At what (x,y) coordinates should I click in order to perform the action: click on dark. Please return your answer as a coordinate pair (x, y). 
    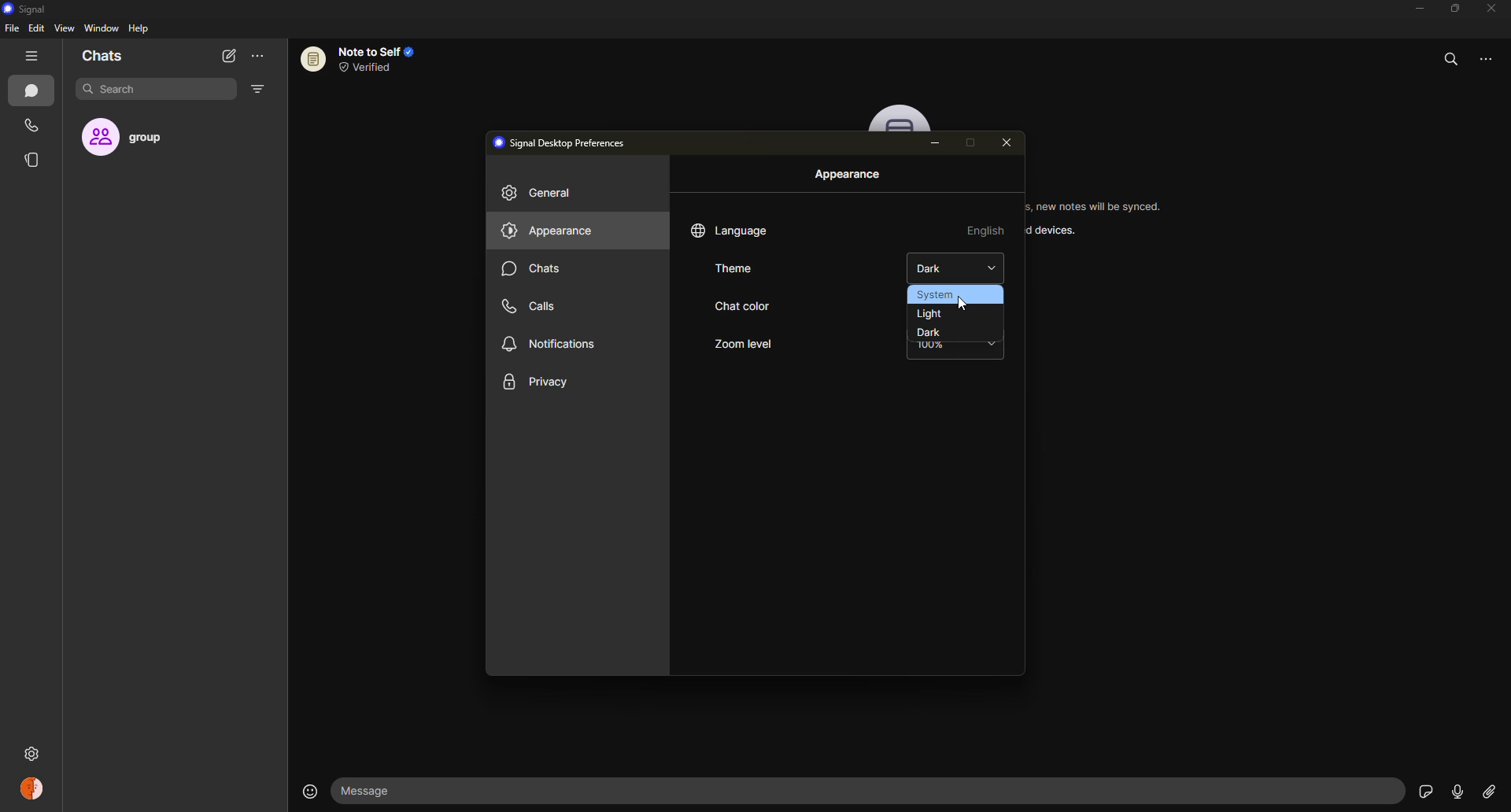
    Looking at the image, I should click on (932, 333).